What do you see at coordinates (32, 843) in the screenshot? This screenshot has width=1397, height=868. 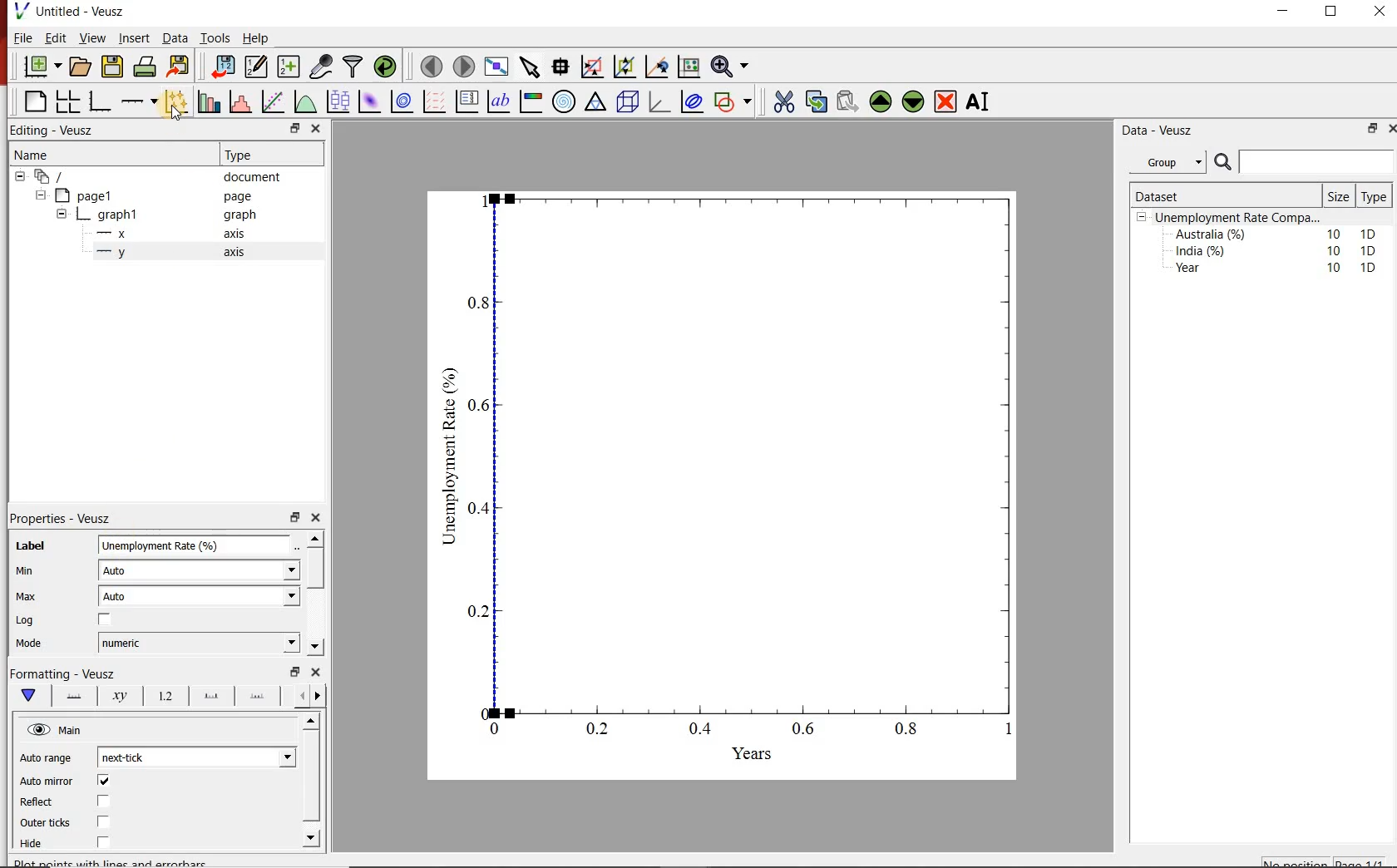 I see `Hide` at bounding box center [32, 843].